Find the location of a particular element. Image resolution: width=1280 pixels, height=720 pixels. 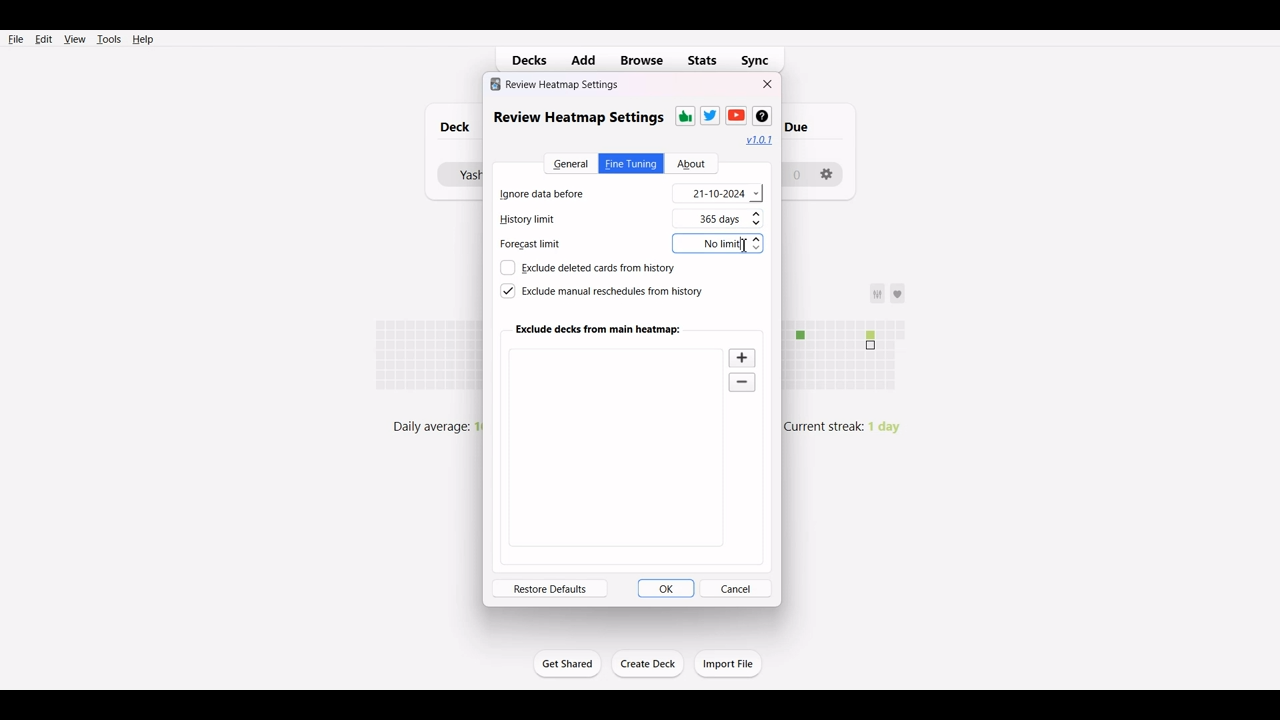

Cancel is located at coordinates (736, 588).